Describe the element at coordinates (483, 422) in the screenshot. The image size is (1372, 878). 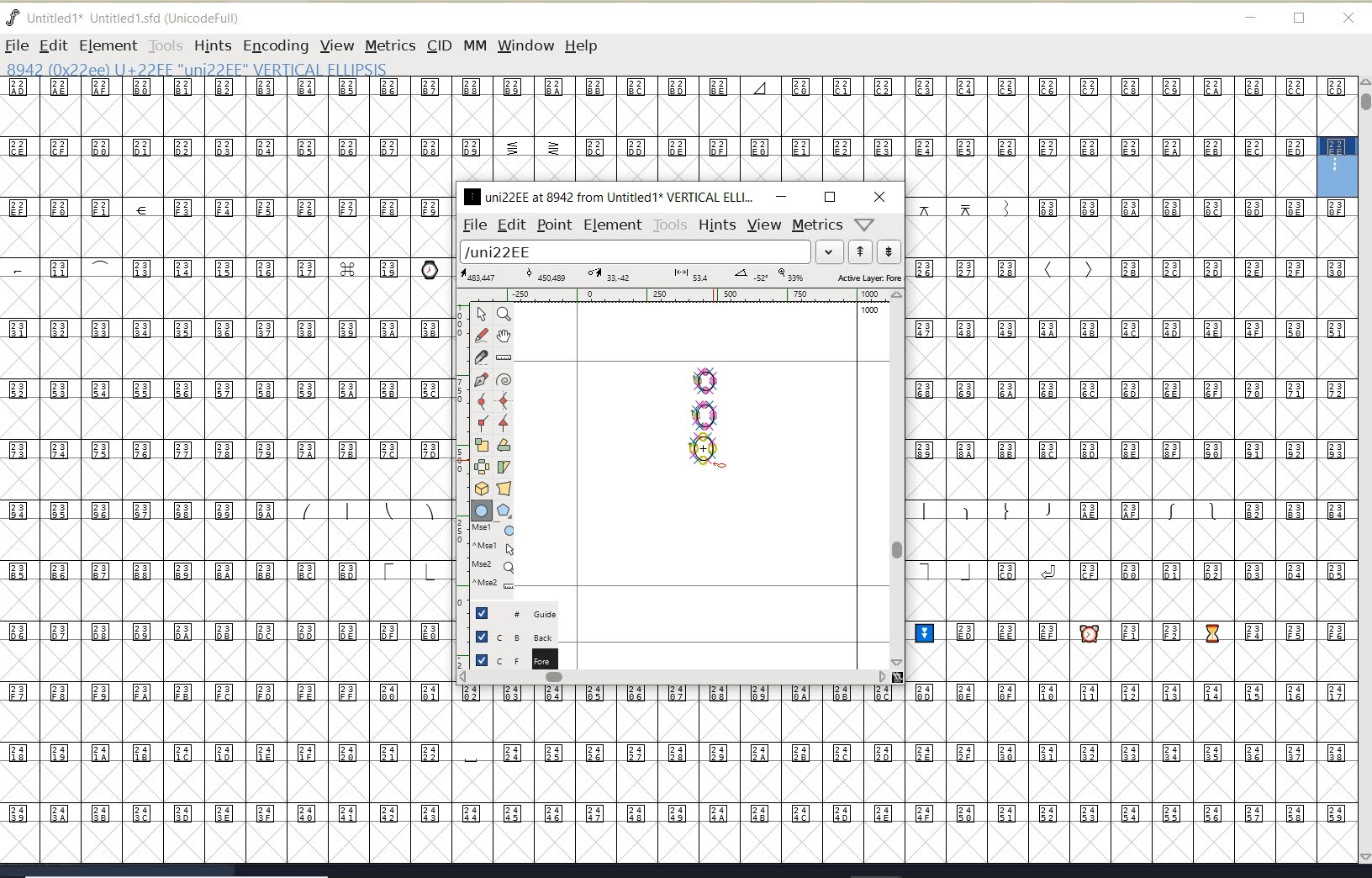
I see `add a corner point` at that location.